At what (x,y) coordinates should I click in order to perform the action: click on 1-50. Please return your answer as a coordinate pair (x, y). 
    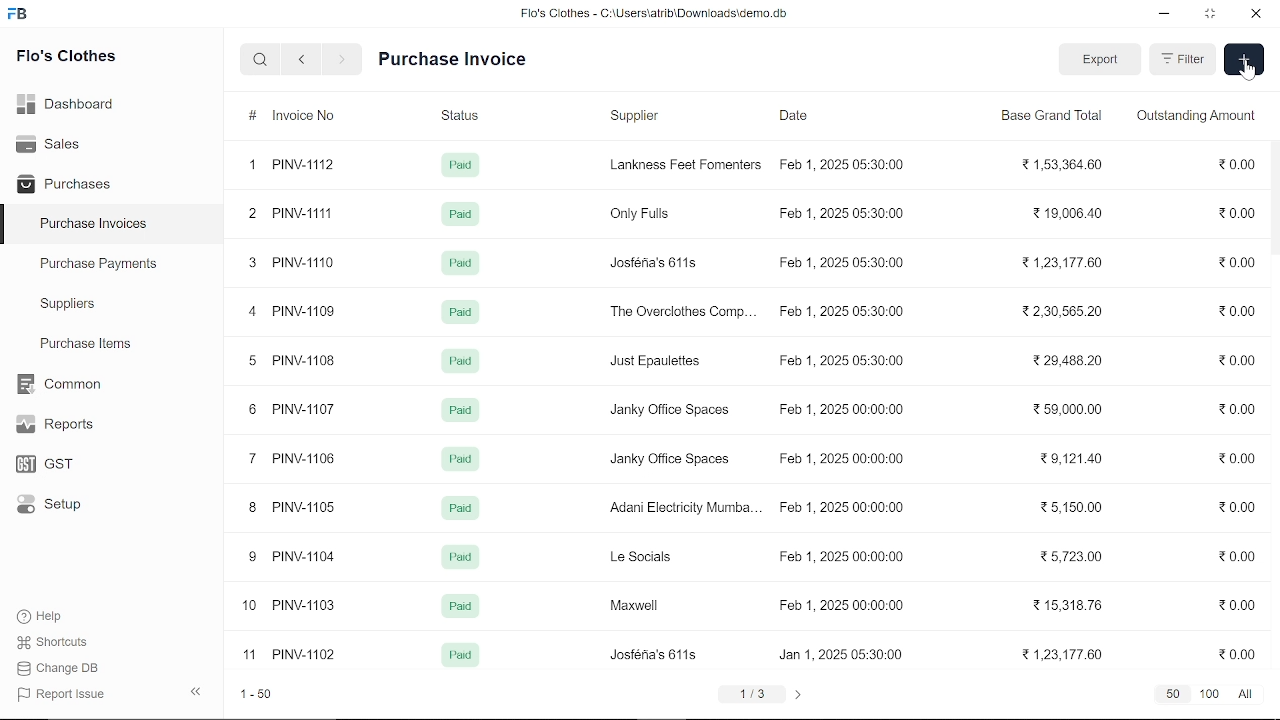
    Looking at the image, I should click on (260, 692).